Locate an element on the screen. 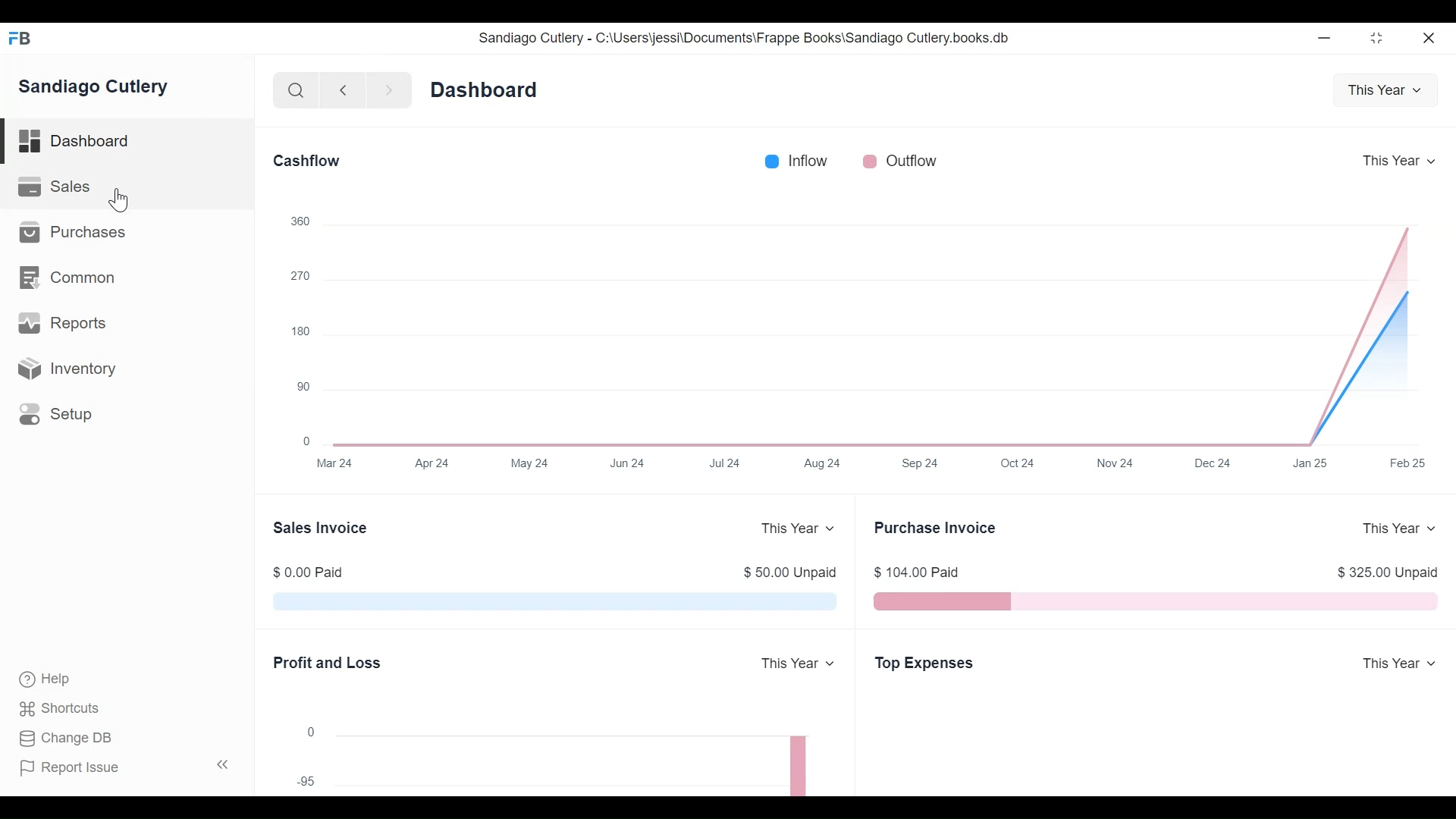  This Year is located at coordinates (1400, 527).